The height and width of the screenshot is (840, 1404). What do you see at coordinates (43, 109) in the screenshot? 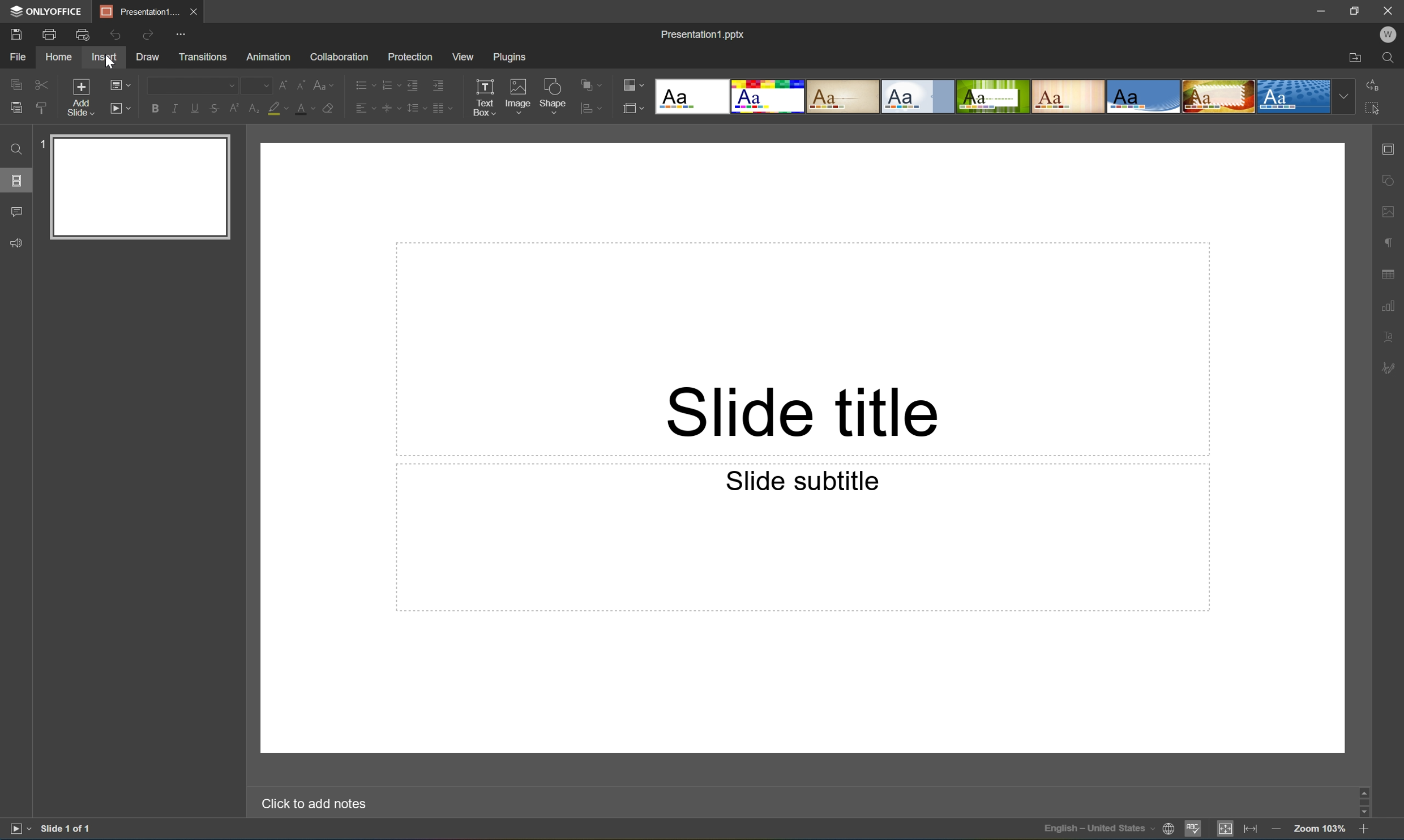
I see `Copy style` at bounding box center [43, 109].